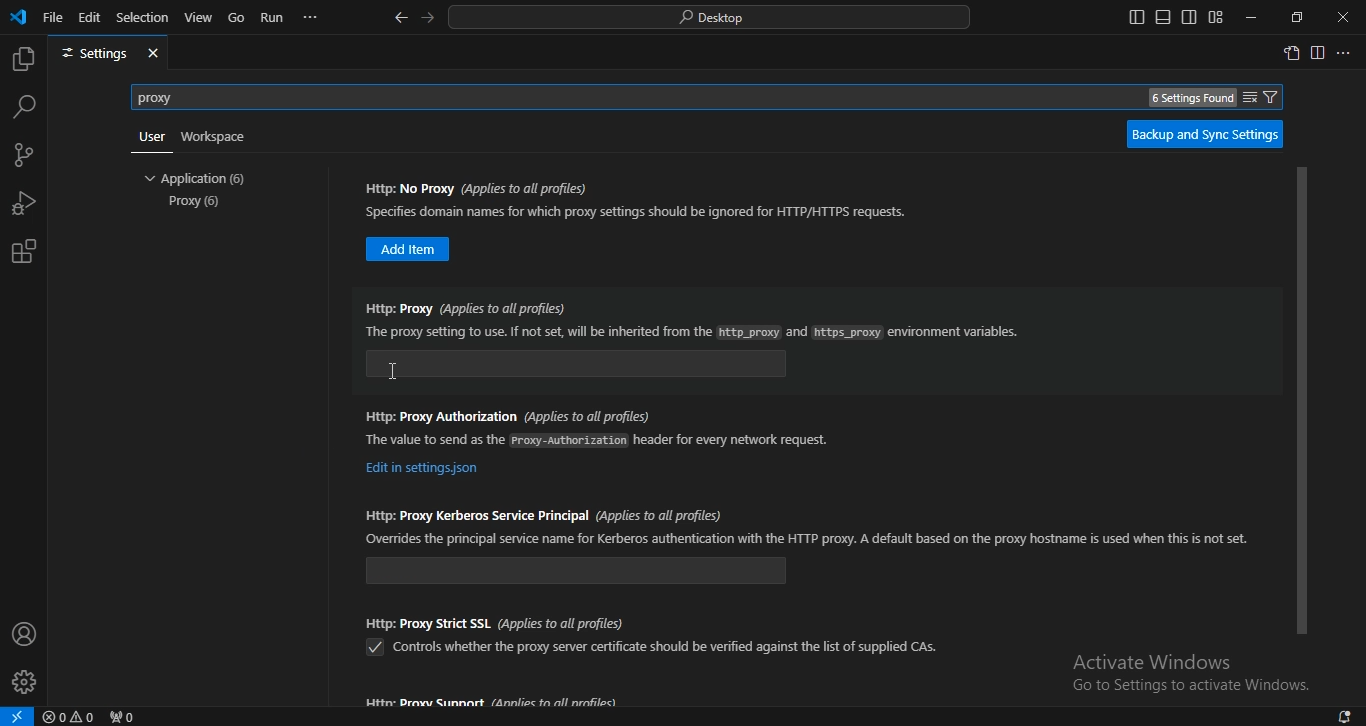 Image resolution: width=1366 pixels, height=726 pixels. Describe the element at coordinates (808, 539) in the screenshot. I see `https: proxy kerberos service principal` at that location.